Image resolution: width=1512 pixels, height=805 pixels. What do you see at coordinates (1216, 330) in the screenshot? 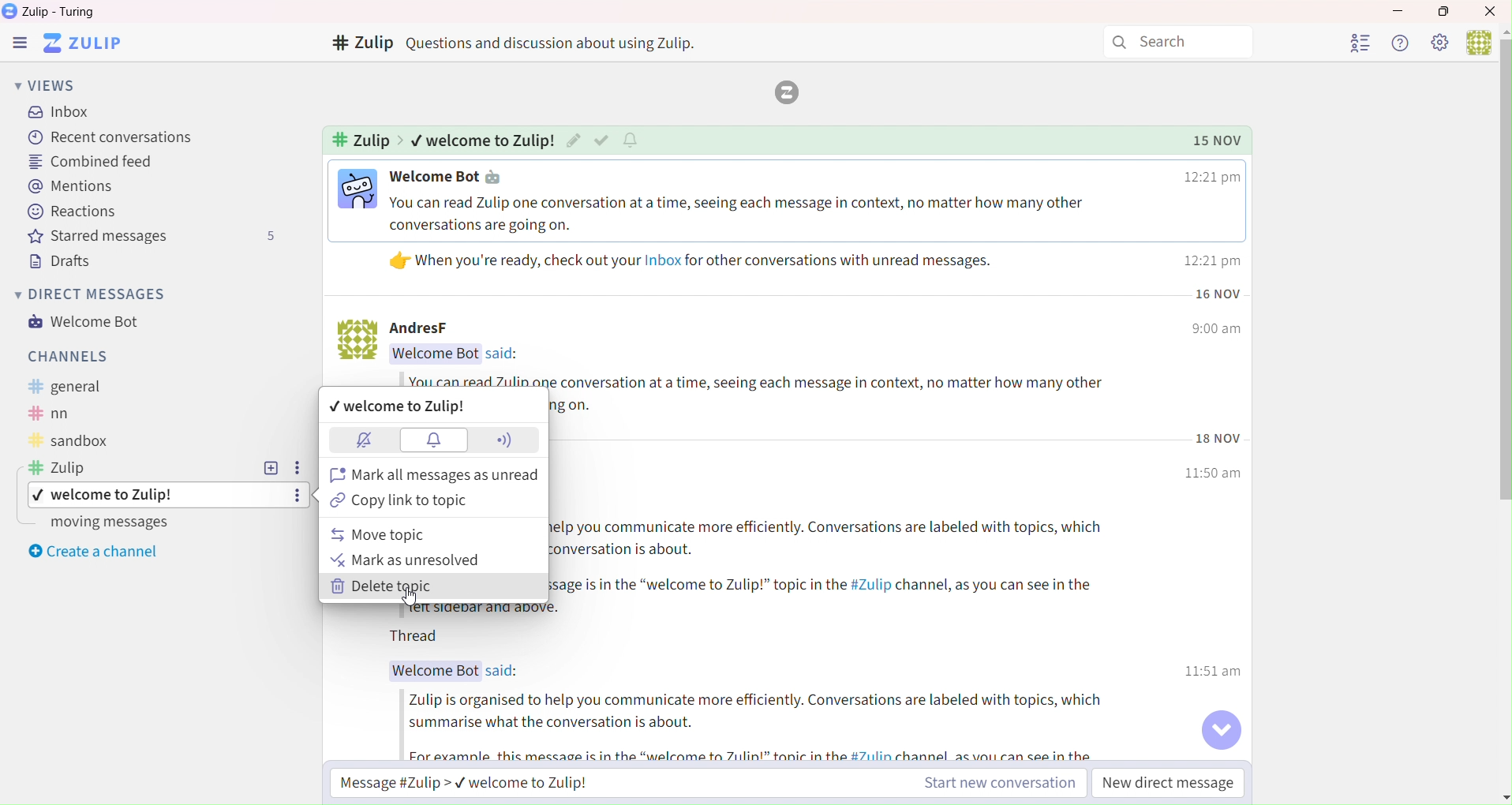
I see `Time` at bounding box center [1216, 330].